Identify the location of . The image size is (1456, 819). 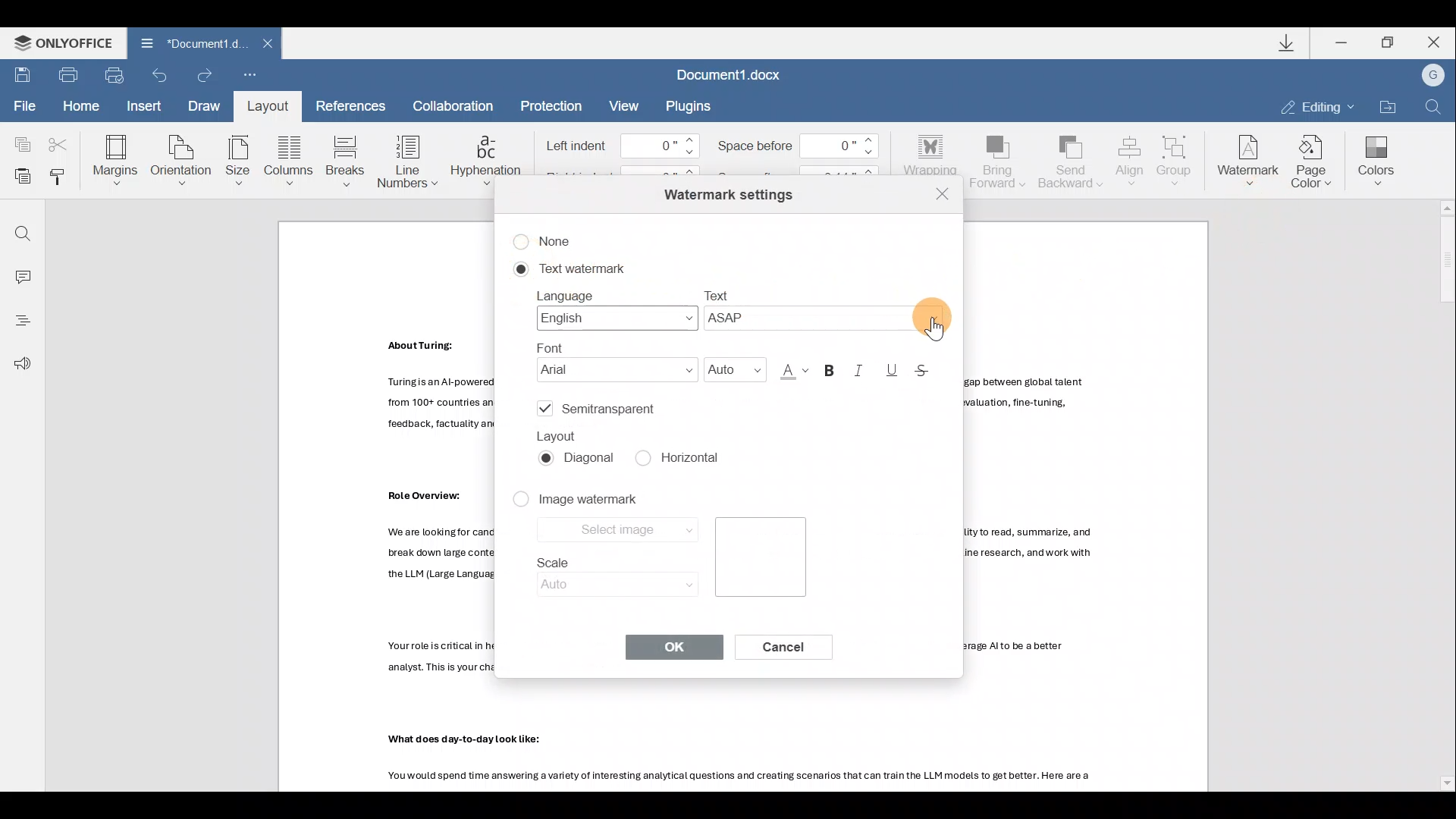
(743, 778).